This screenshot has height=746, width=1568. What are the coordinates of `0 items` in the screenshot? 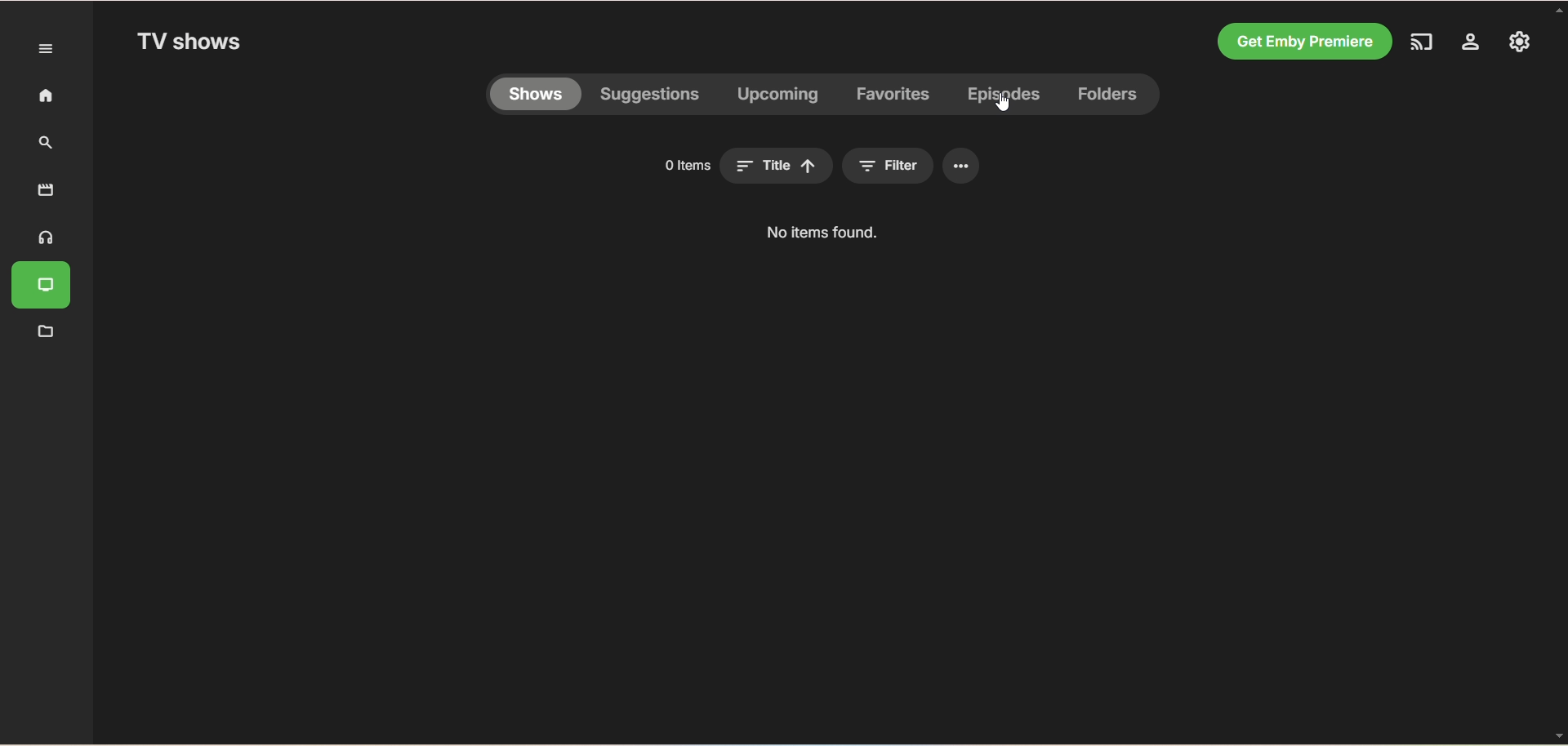 It's located at (680, 167).